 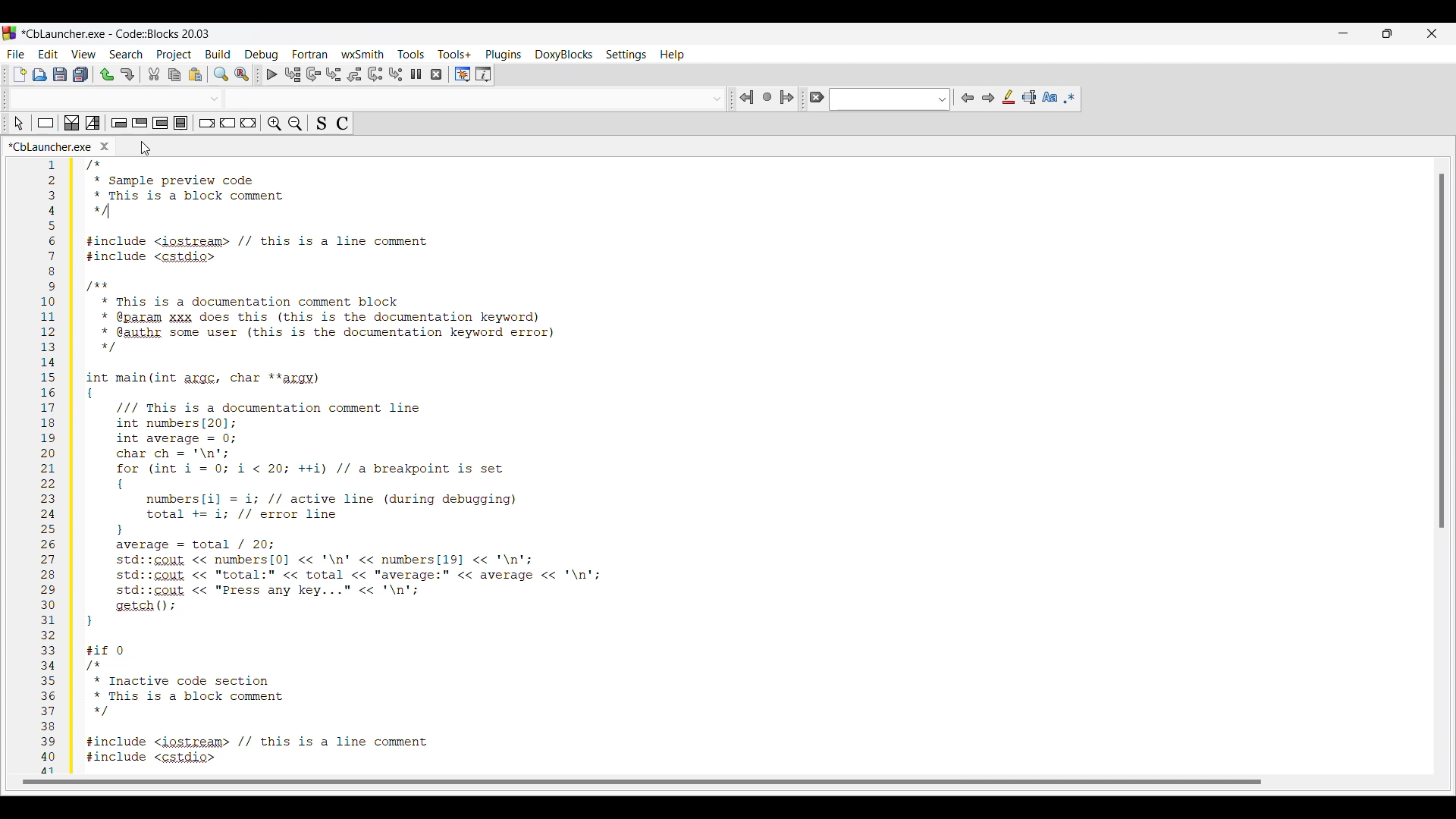 What do you see at coordinates (59, 143) in the screenshot?
I see `Panel title` at bounding box center [59, 143].